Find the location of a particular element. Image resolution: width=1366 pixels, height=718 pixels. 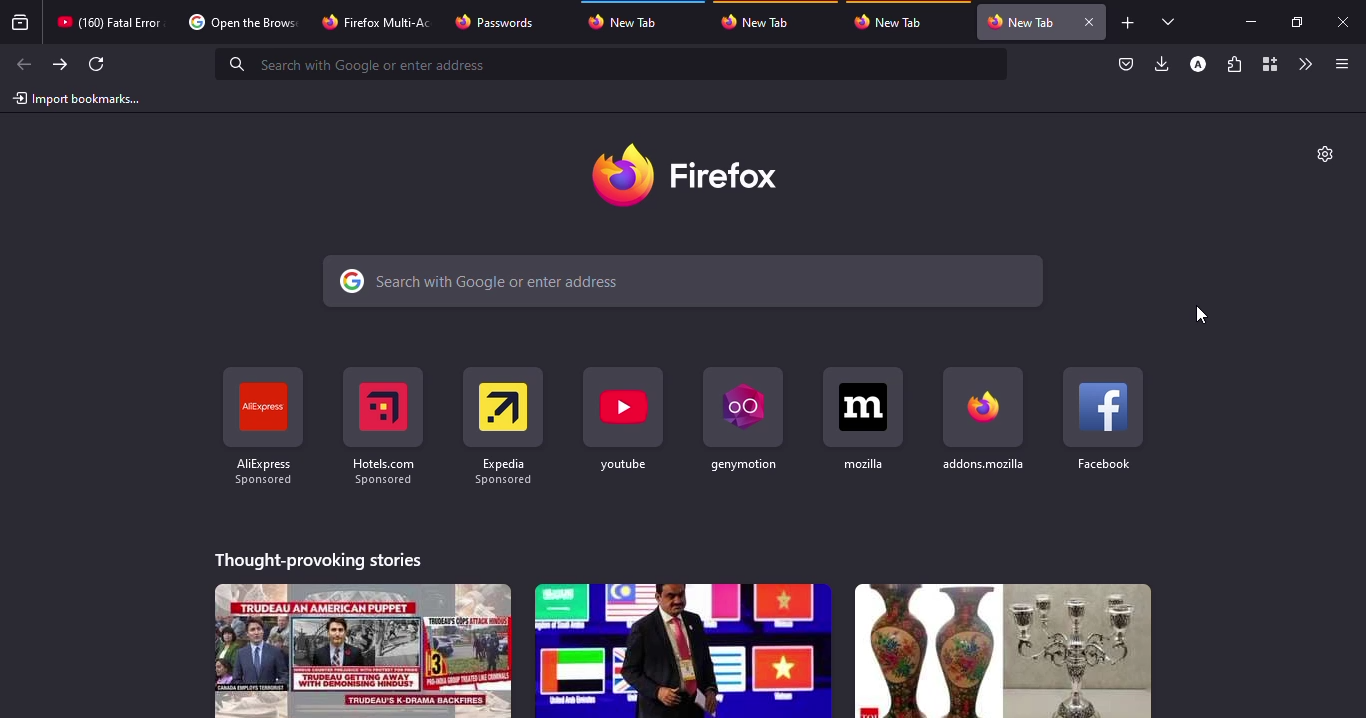

downloads is located at coordinates (1161, 65).